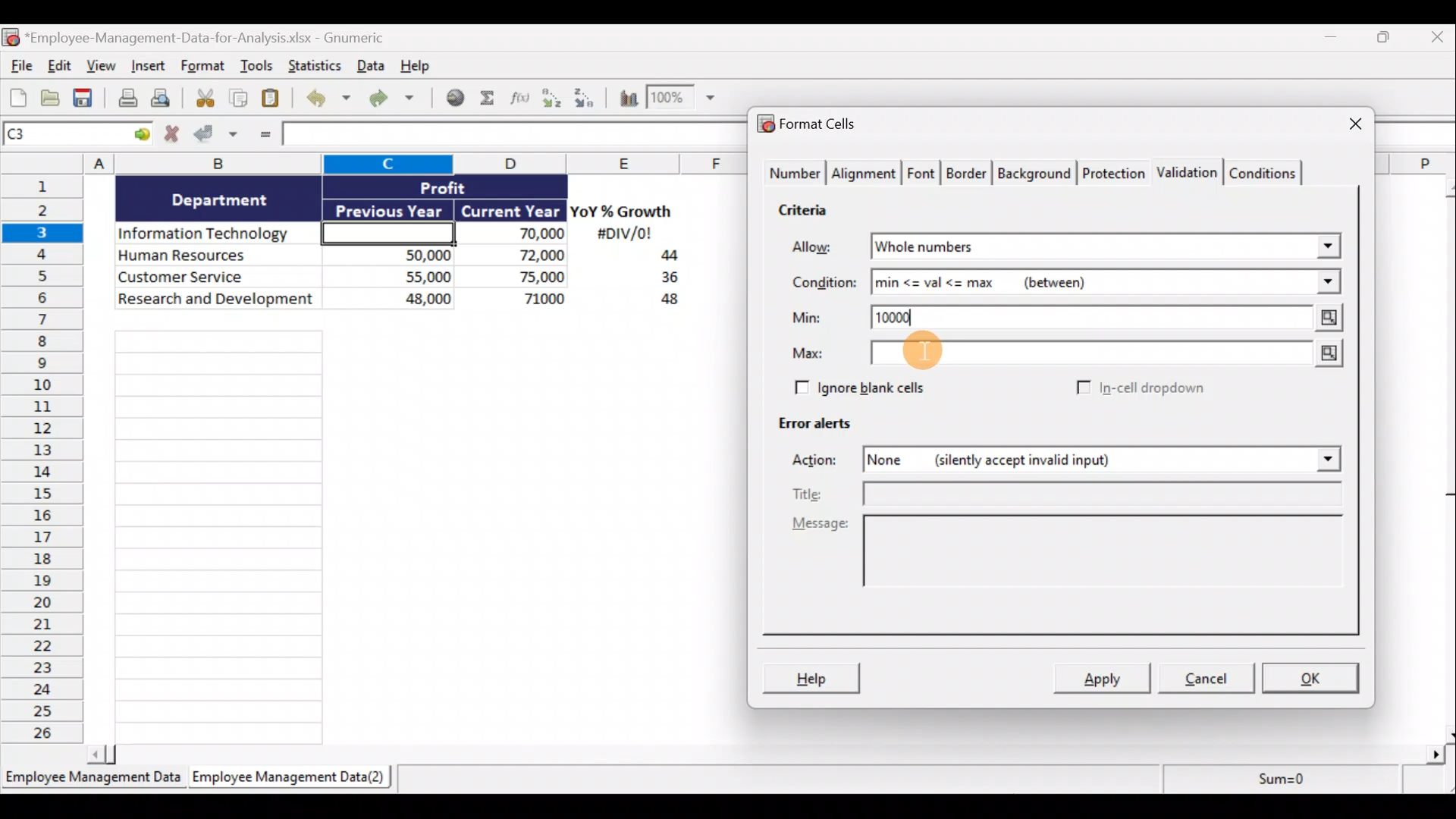 This screenshot has height=819, width=1456. What do you see at coordinates (685, 101) in the screenshot?
I see `Zoom` at bounding box center [685, 101].